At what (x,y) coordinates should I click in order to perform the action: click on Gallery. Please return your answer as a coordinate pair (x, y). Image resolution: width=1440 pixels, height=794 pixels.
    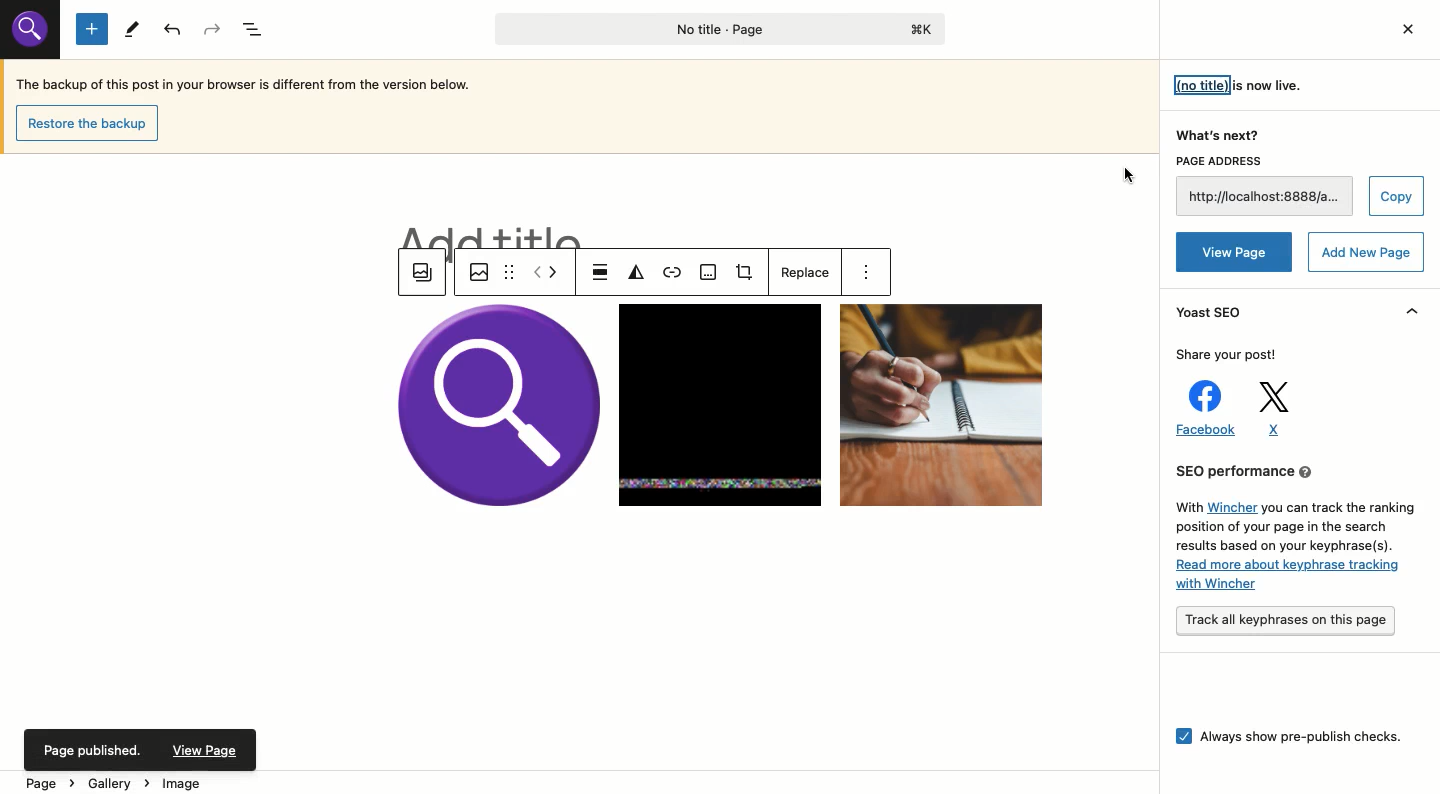
    Looking at the image, I should click on (423, 274).